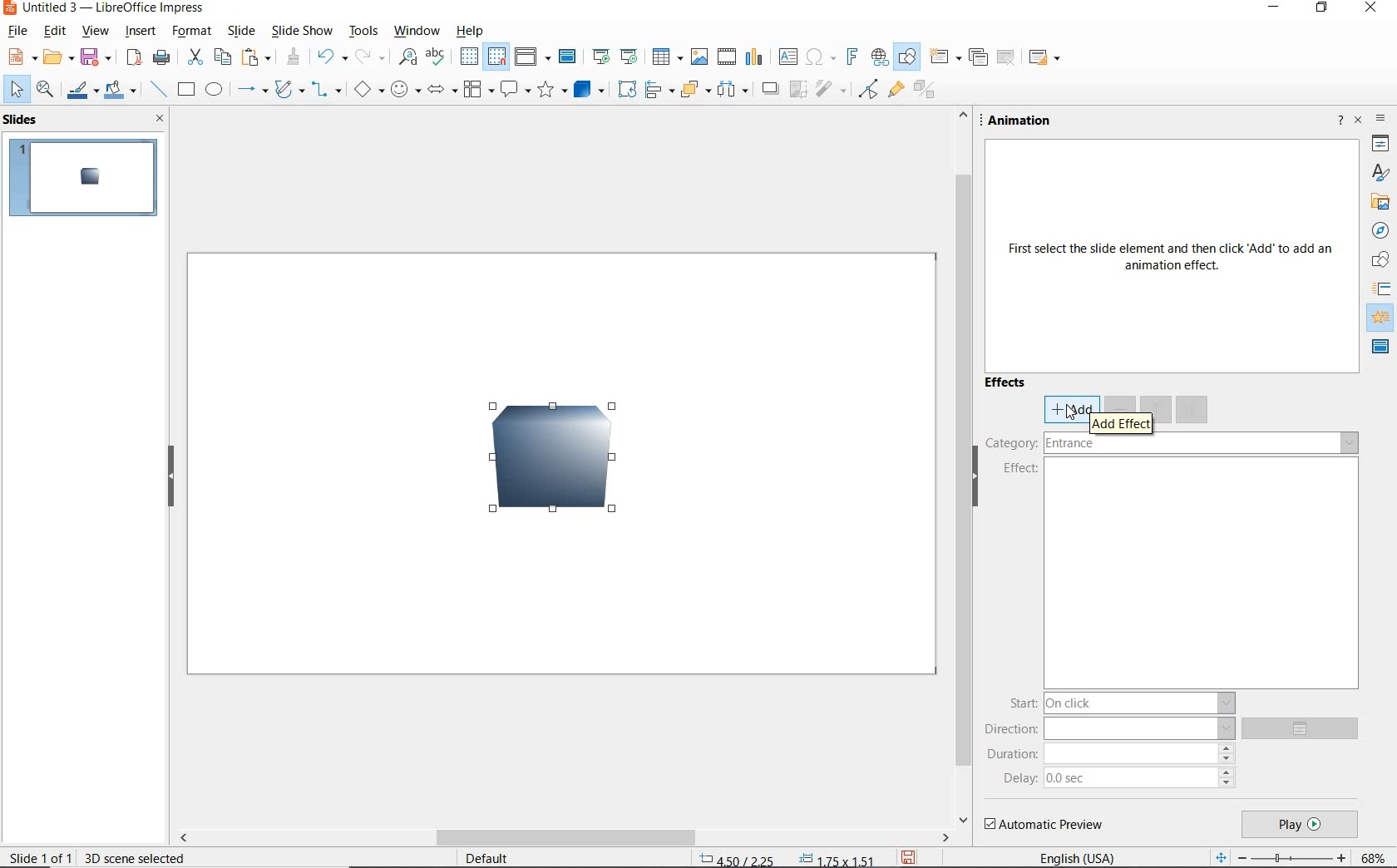 This screenshot has height=868, width=1397. What do you see at coordinates (1045, 825) in the screenshot?
I see `automatic preview` at bounding box center [1045, 825].